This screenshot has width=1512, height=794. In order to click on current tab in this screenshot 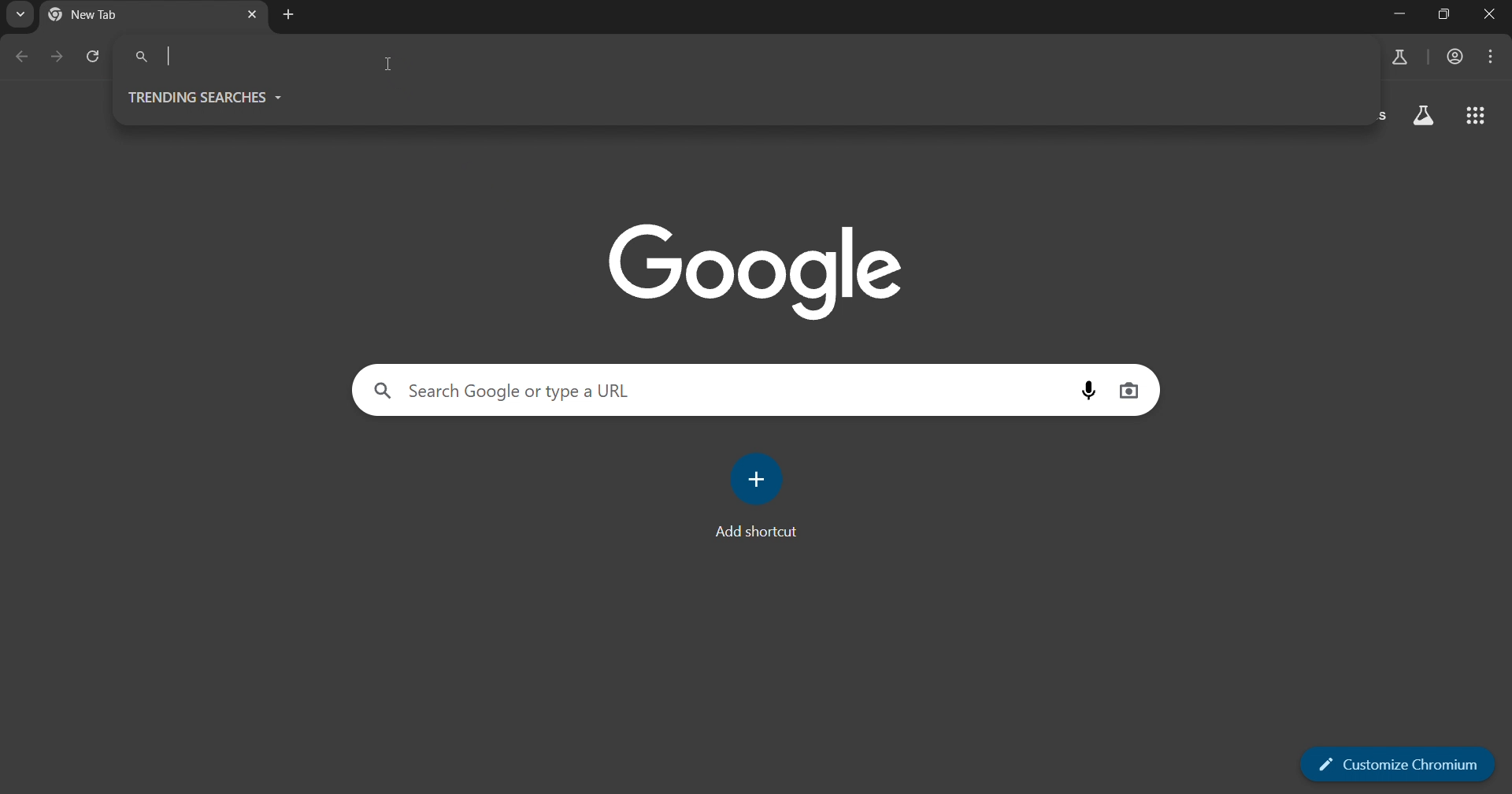, I will do `click(116, 15)`.